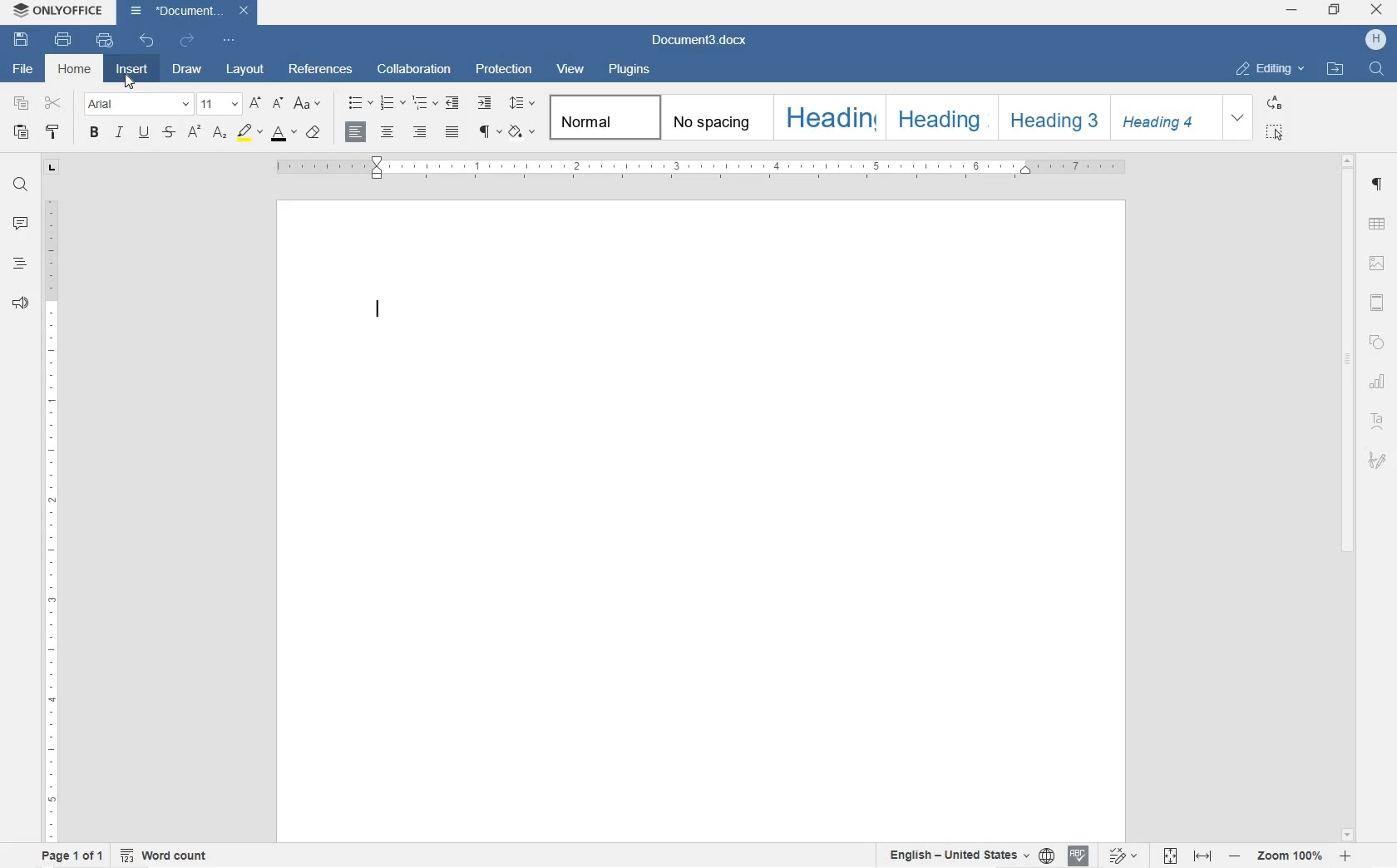 This screenshot has width=1397, height=868. I want to click on ITALIC, so click(118, 133).